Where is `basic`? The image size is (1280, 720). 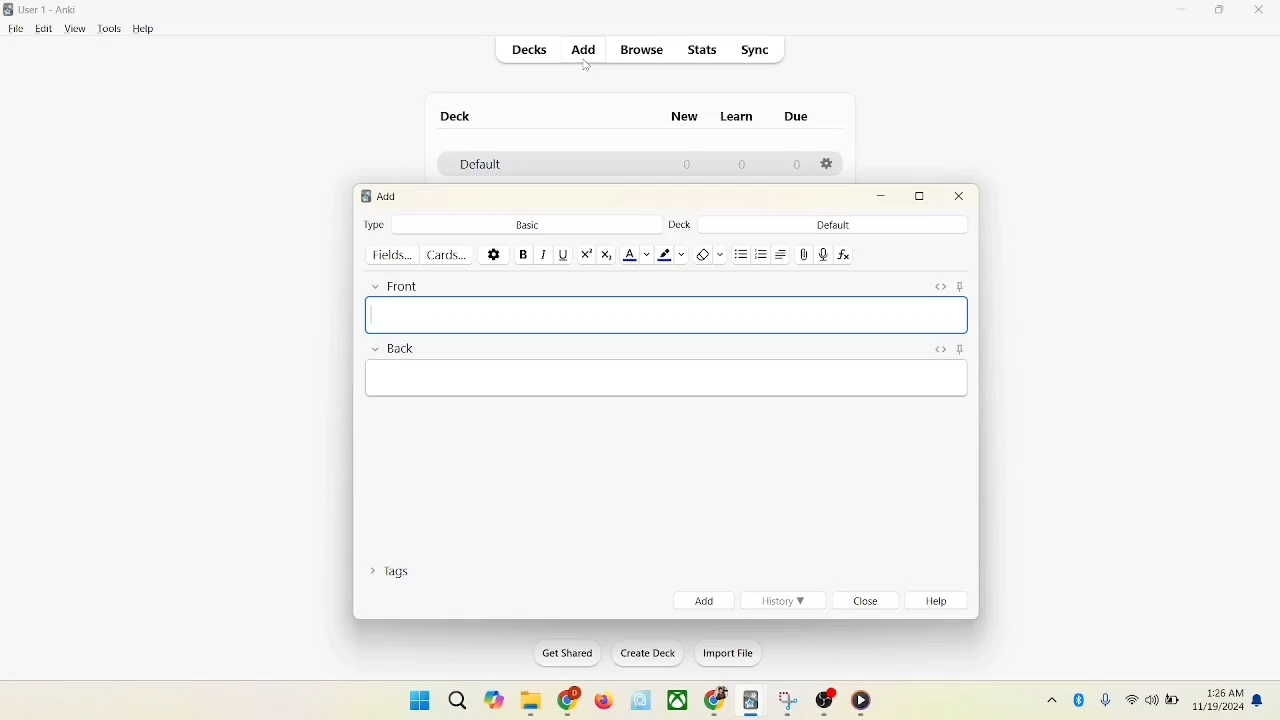
basic is located at coordinates (527, 223).